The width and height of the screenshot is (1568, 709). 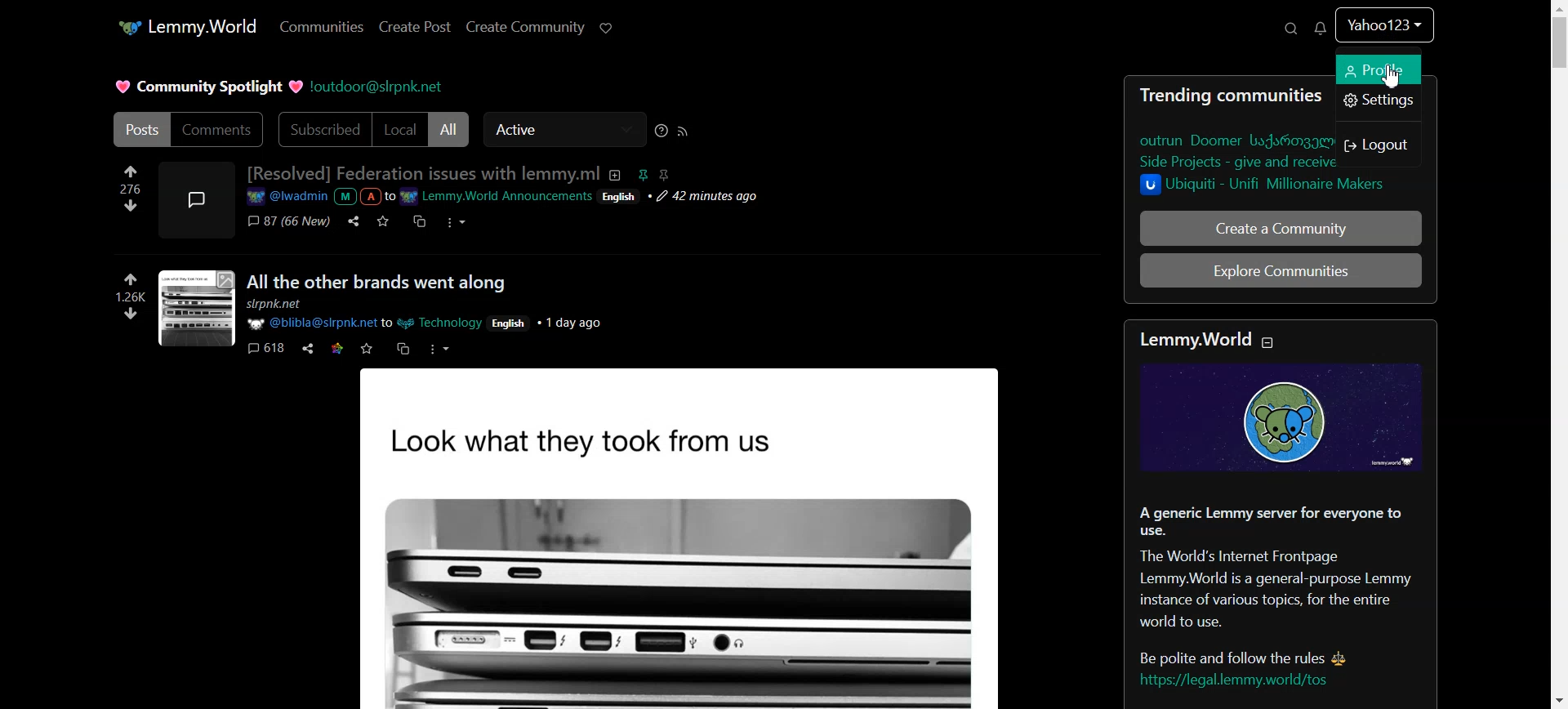 I want to click on pinned post, so click(x=663, y=175).